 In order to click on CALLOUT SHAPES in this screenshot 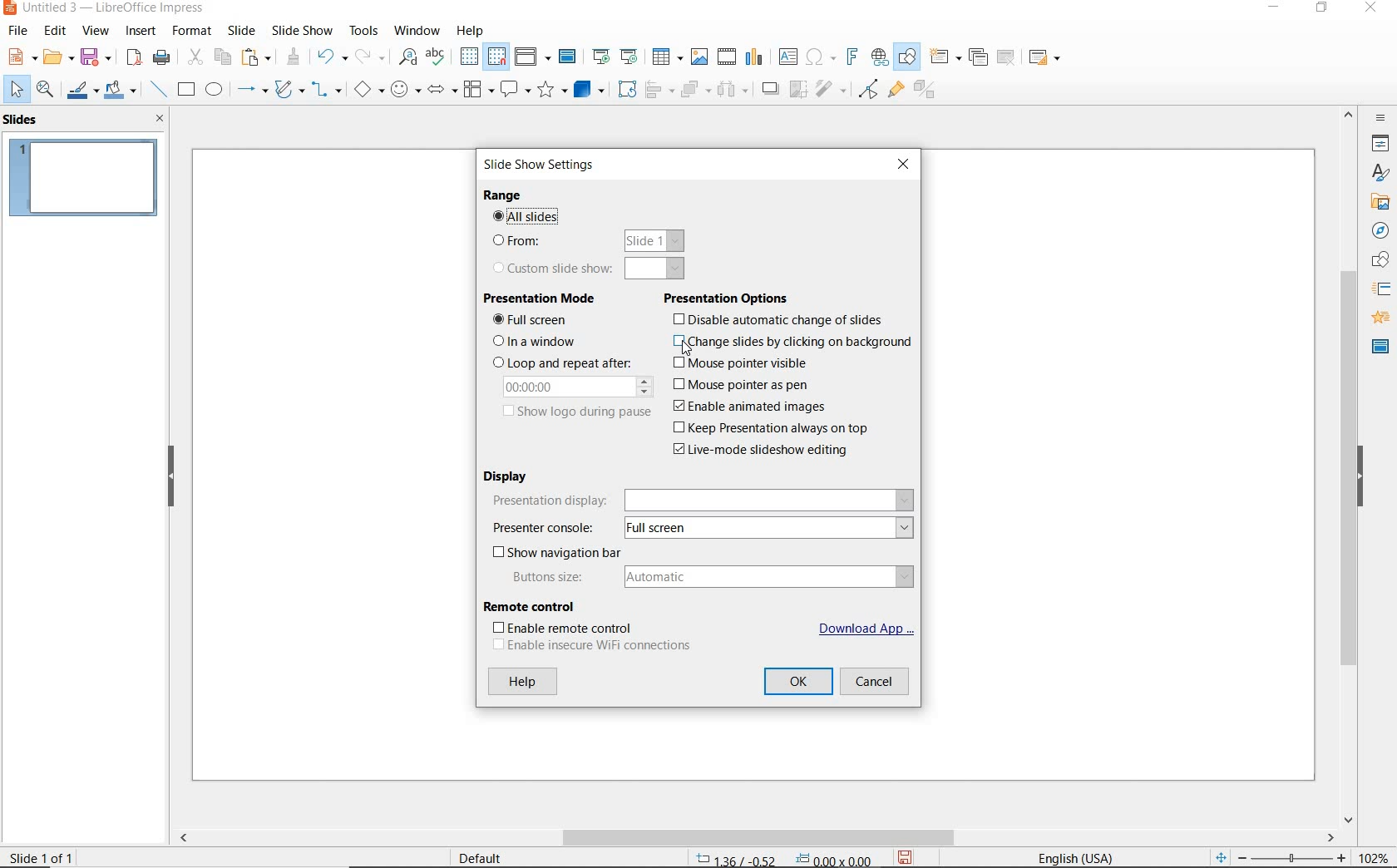, I will do `click(513, 91)`.